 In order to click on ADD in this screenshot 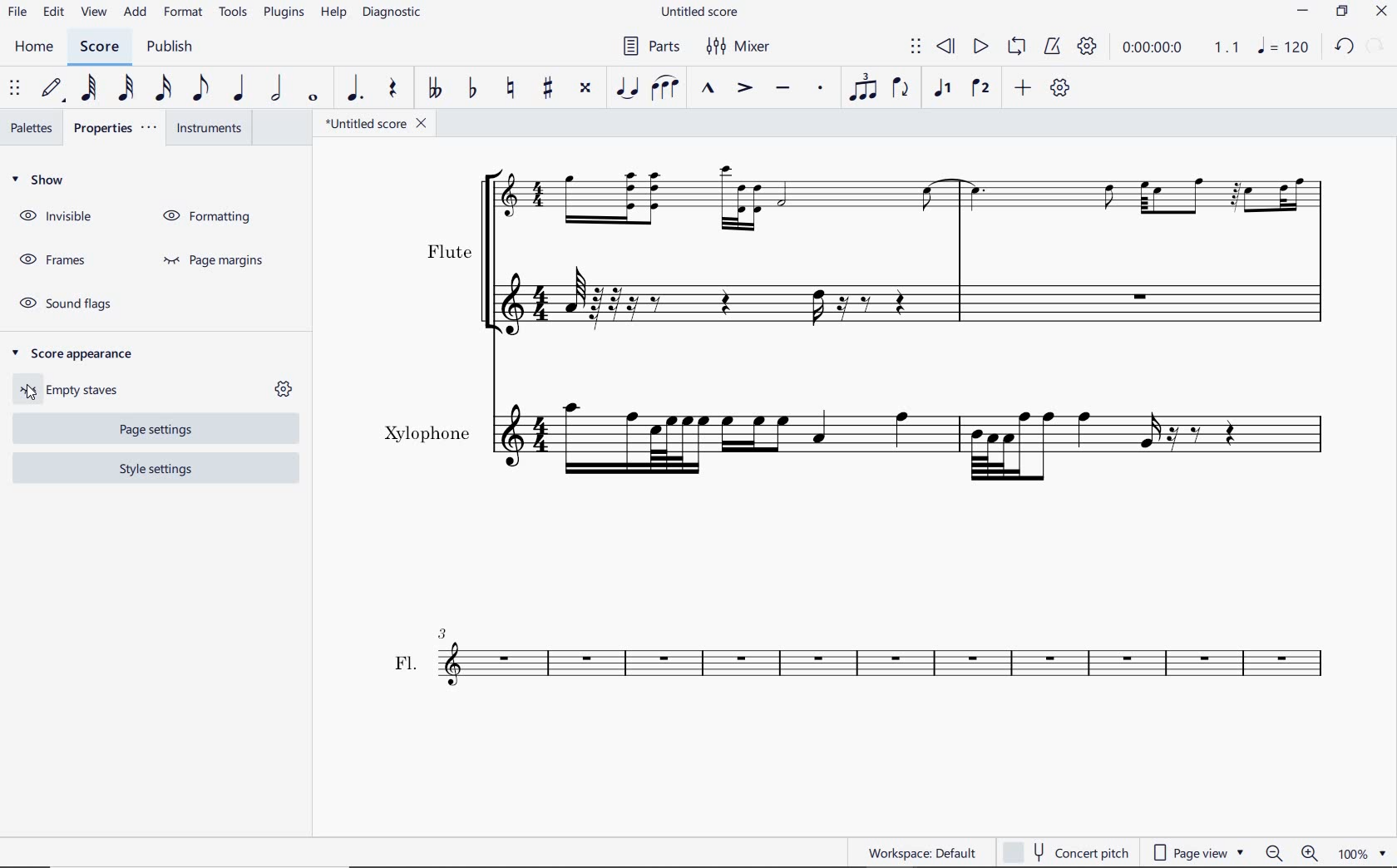, I will do `click(1022, 88)`.